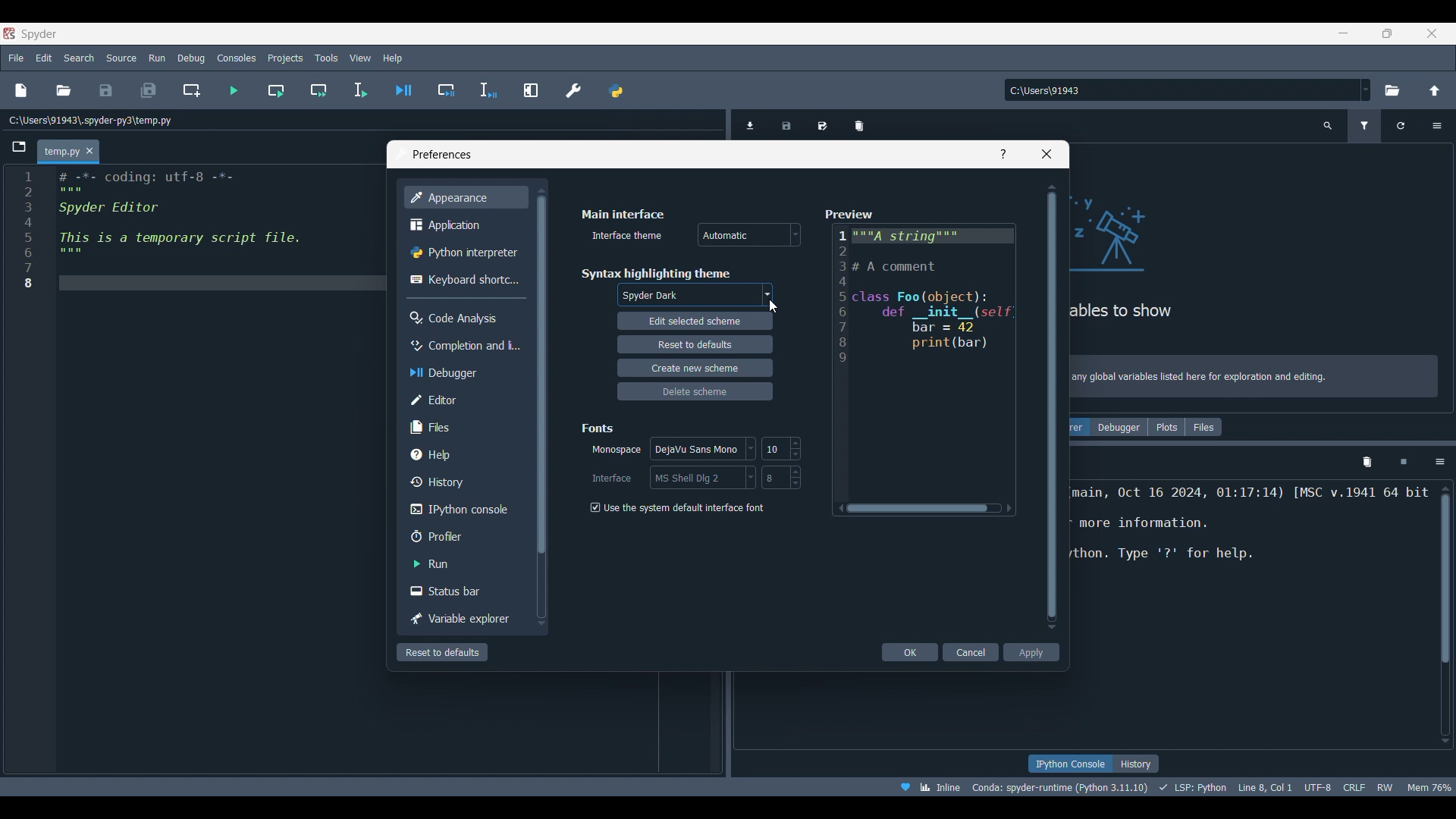  Describe the element at coordinates (752, 125) in the screenshot. I see `Import data` at that location.